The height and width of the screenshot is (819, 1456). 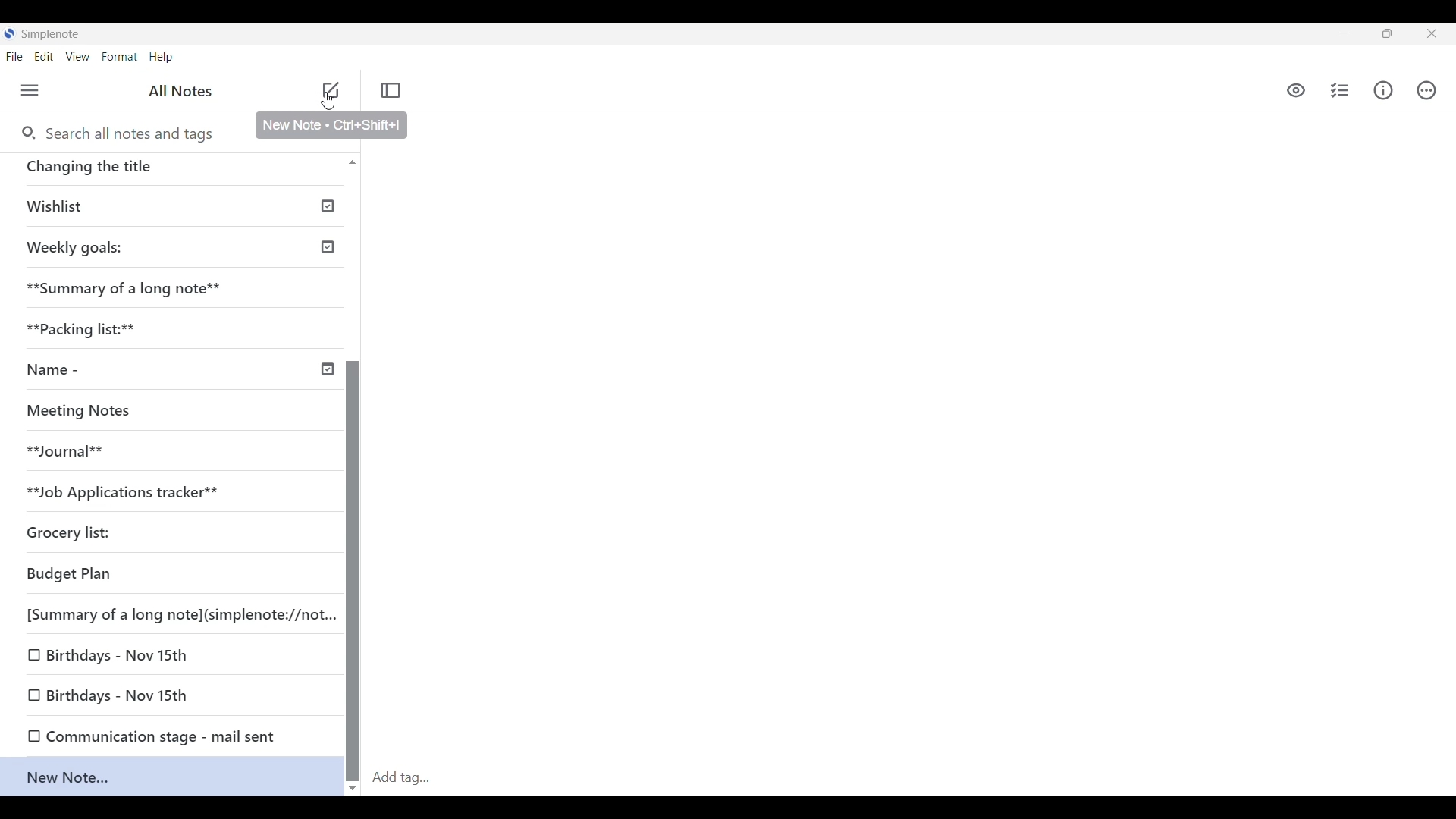 I want to click on Changing the title, so click(x=161, y=168).